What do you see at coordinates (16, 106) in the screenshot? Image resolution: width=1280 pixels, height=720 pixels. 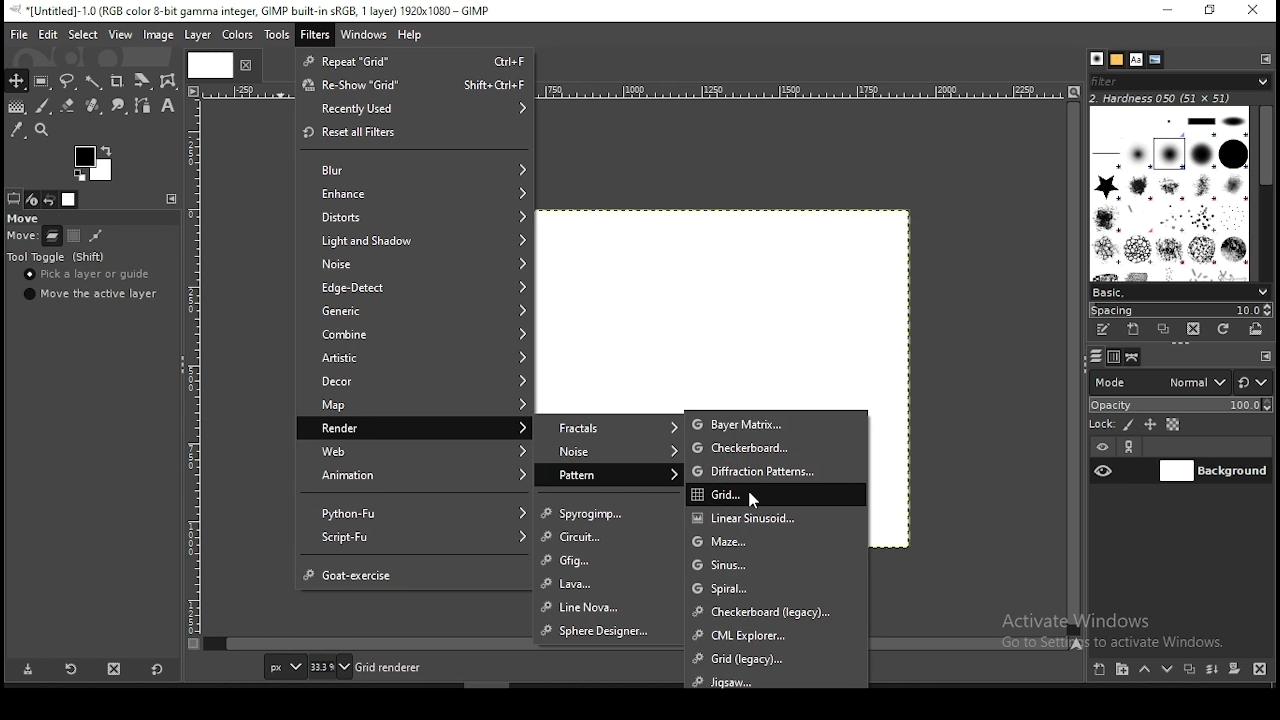 I see `gradient tool` at bounding box center [16, 106].